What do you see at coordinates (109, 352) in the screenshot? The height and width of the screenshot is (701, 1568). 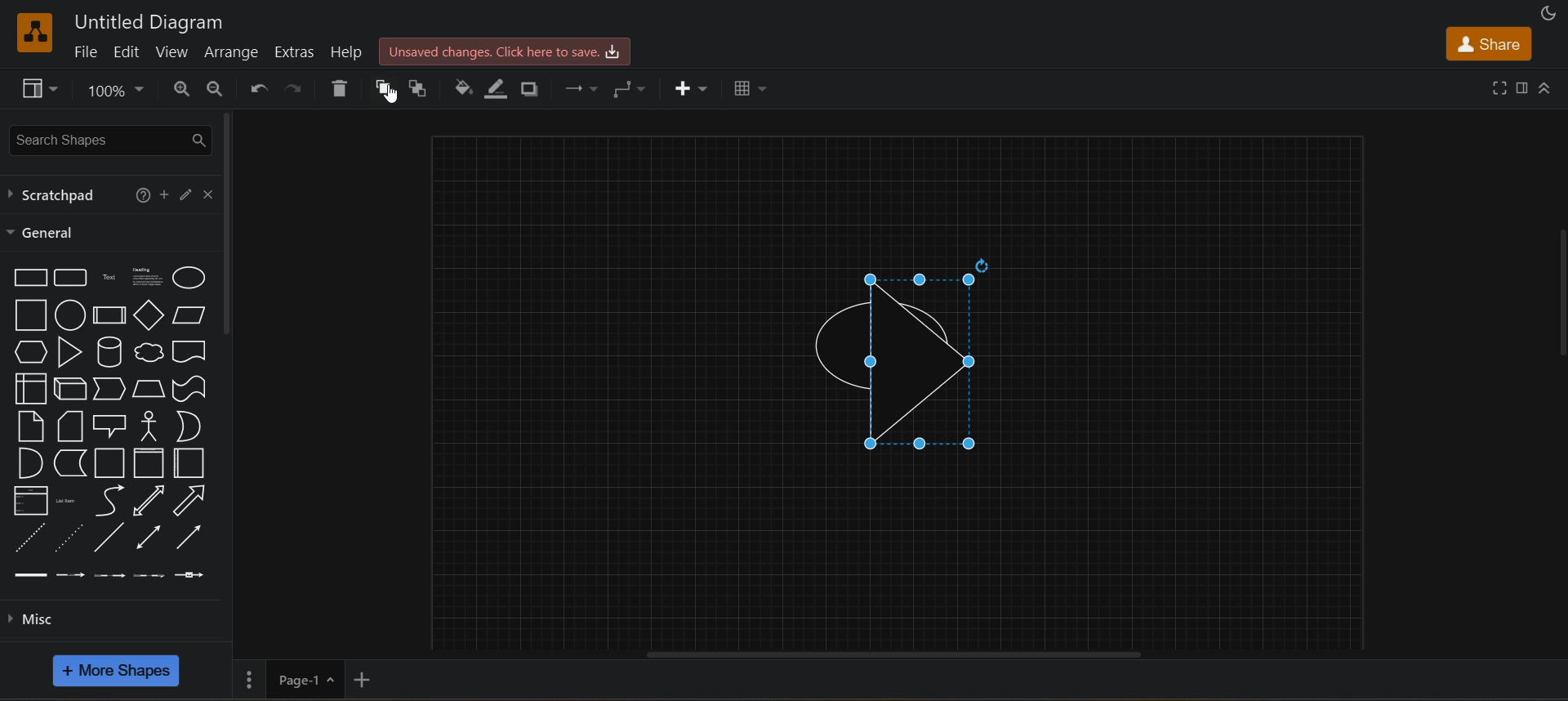 I see `cylinder` at bounding box center [109, 352].